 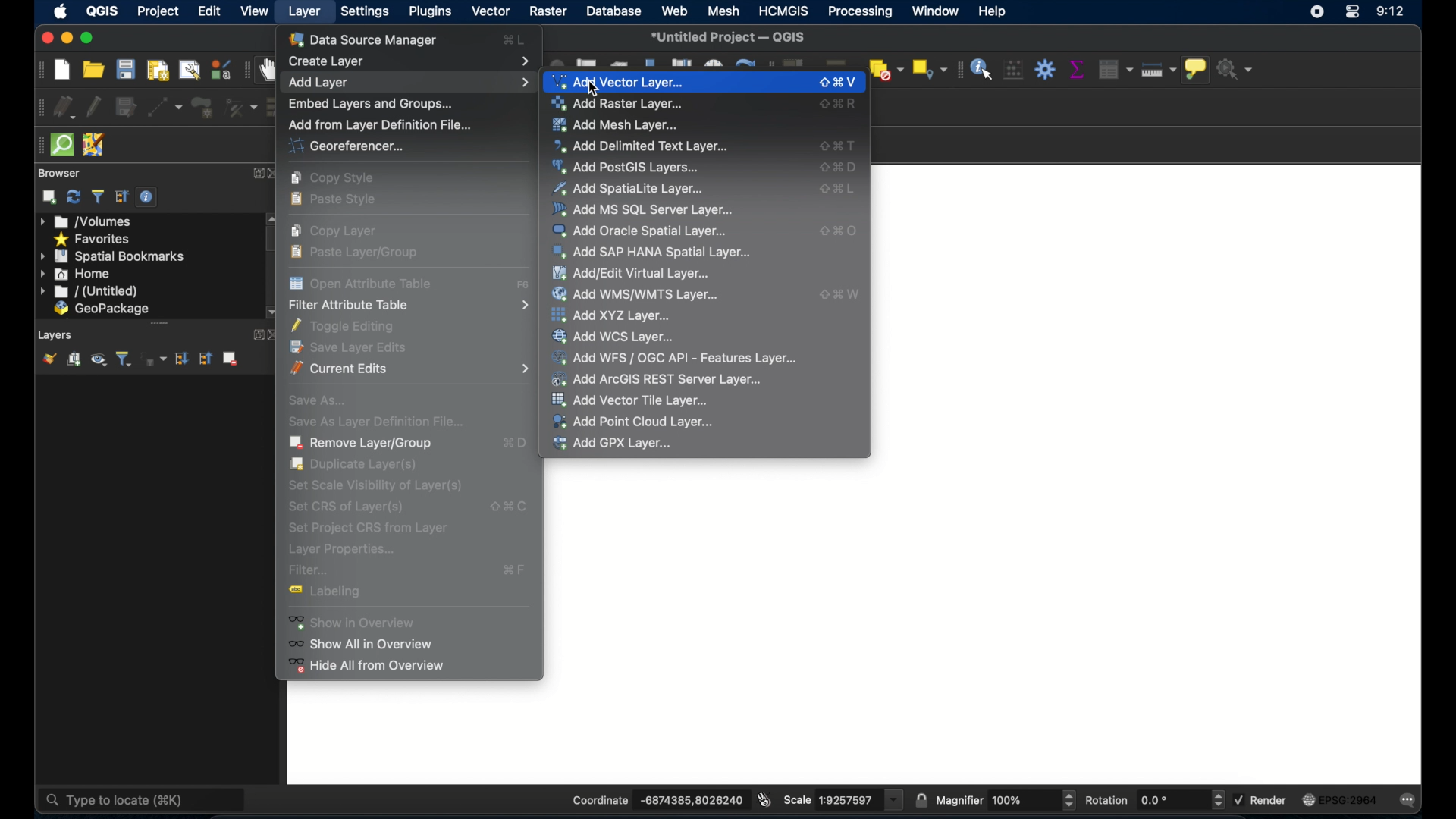 What do you see at coordinates (704, 83) in the screenshot?
I see `Add vector layer...` at bounding box center [704, 83].